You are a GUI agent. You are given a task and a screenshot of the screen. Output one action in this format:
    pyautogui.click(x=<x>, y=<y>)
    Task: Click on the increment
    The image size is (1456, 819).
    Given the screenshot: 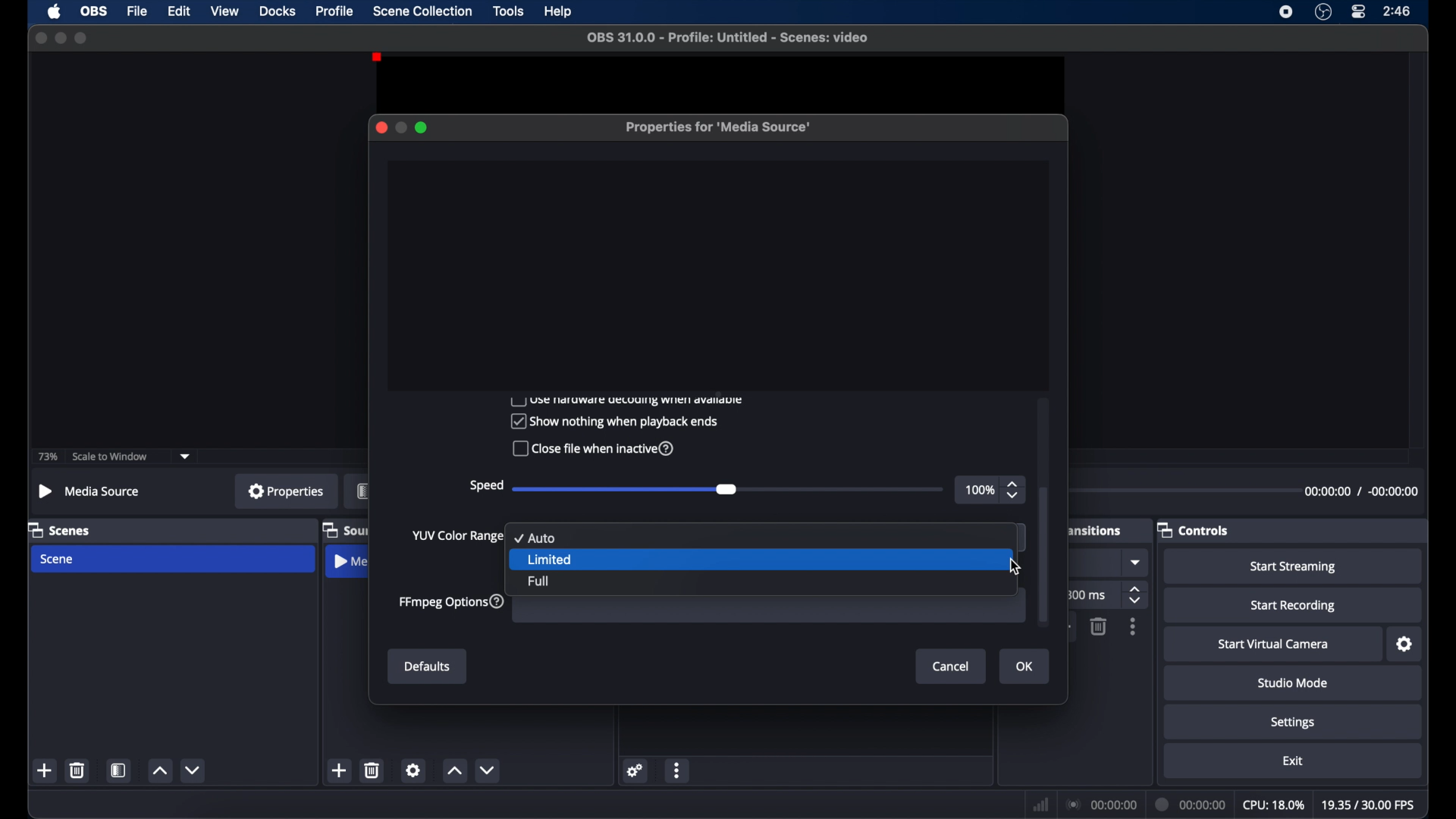 What is the action you would take?
    pyautogui.click(x=159, y=771)
    